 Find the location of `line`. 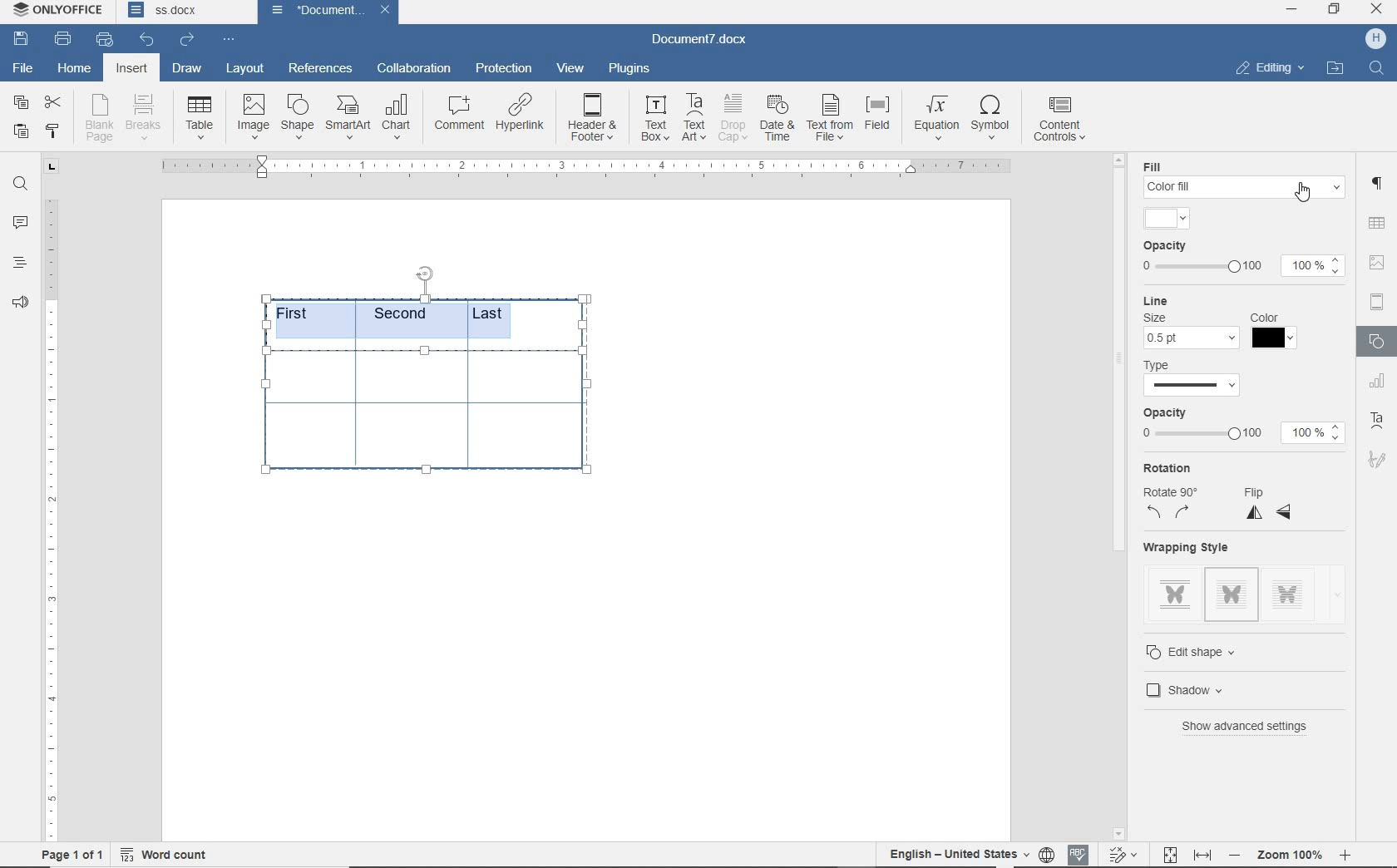

line is located at coordinates (1163, 301).